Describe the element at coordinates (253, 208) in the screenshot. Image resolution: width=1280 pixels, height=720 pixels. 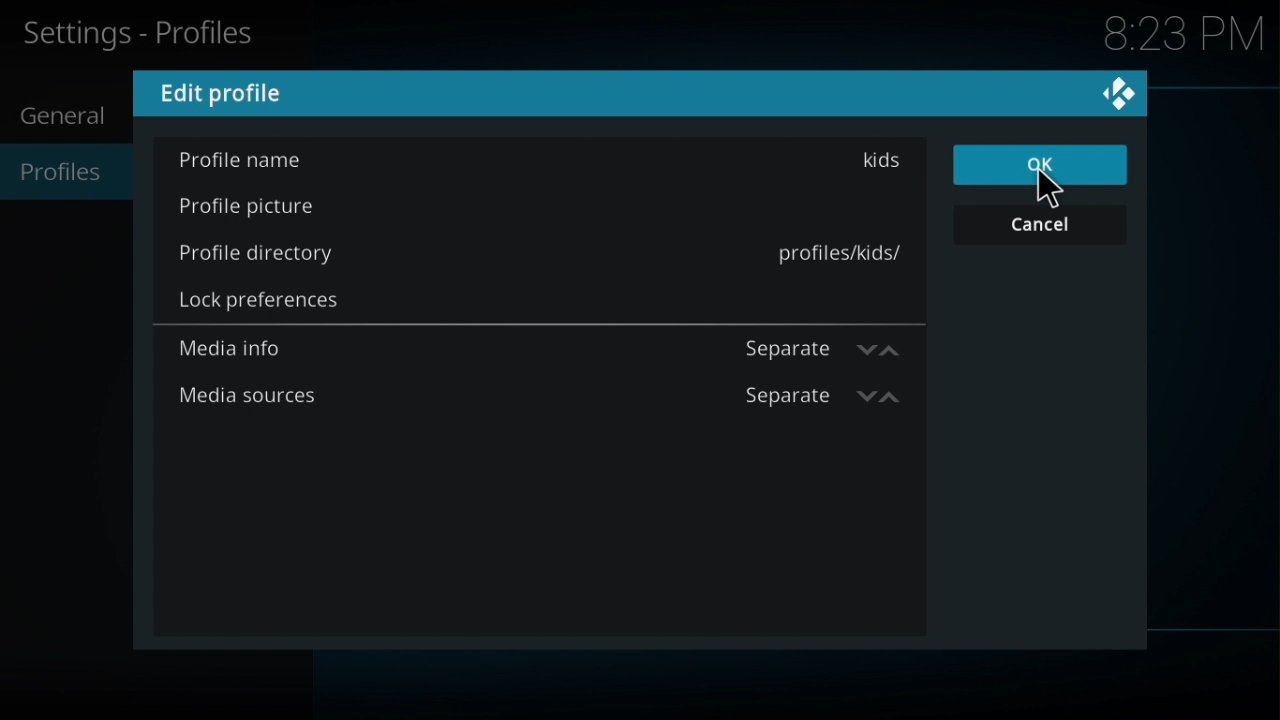
I see `Kids profile picture` at that location.